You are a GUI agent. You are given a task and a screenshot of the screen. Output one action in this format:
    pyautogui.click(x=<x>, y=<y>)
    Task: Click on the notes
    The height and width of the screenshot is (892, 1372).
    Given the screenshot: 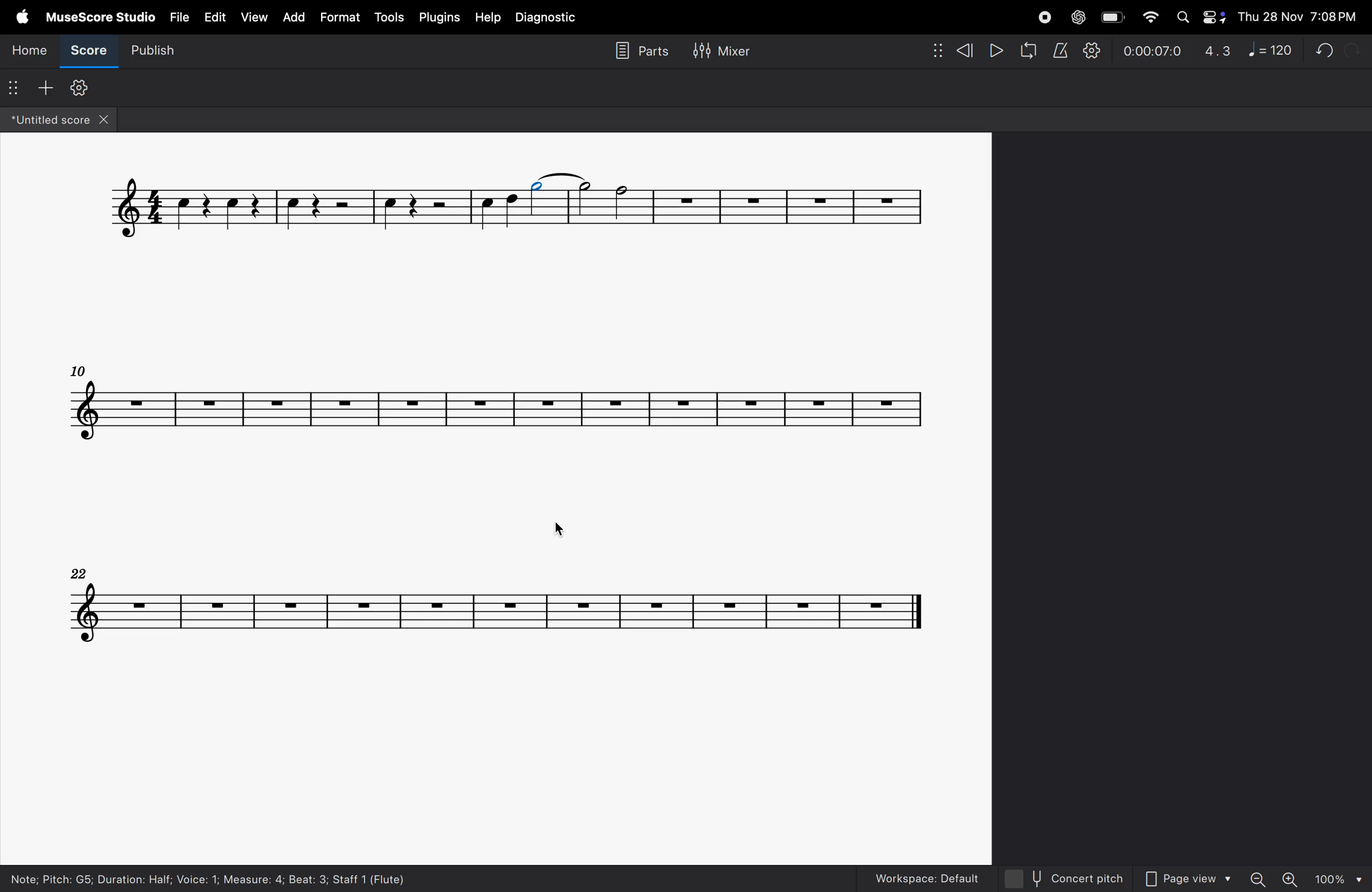 What is the action you would take?
    pyautogui.click(x=492, y=602)
    